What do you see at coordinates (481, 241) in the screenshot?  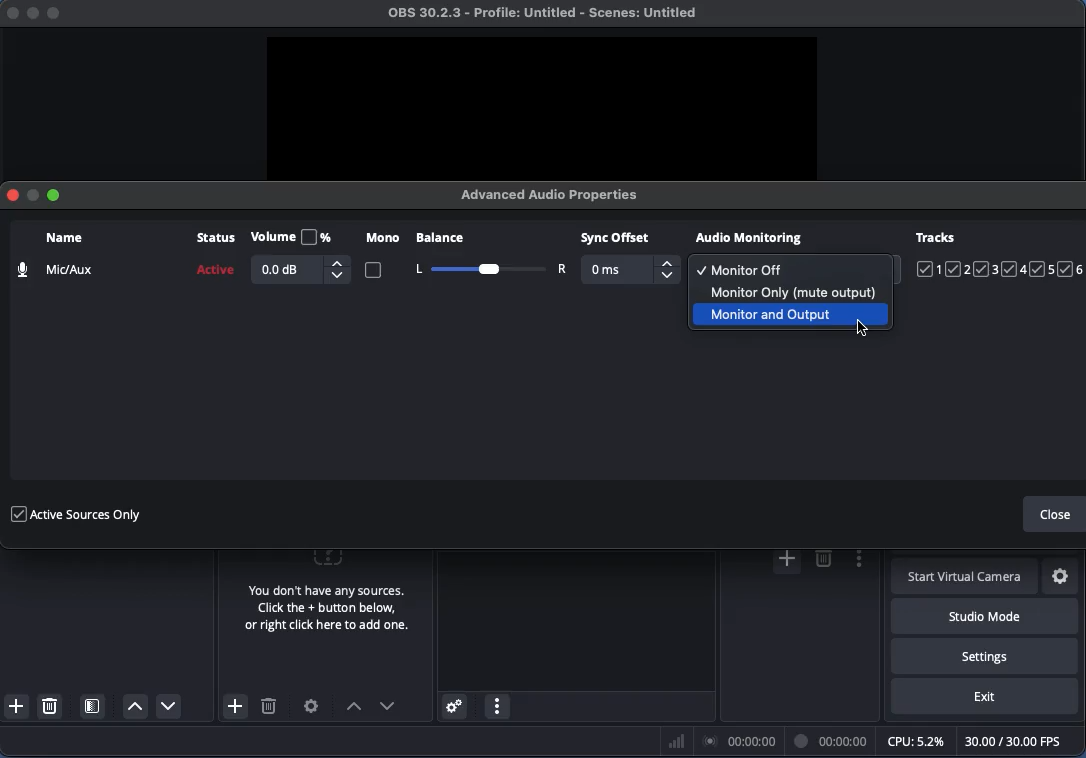 I see `Balance` at bounding box center [481, 241].